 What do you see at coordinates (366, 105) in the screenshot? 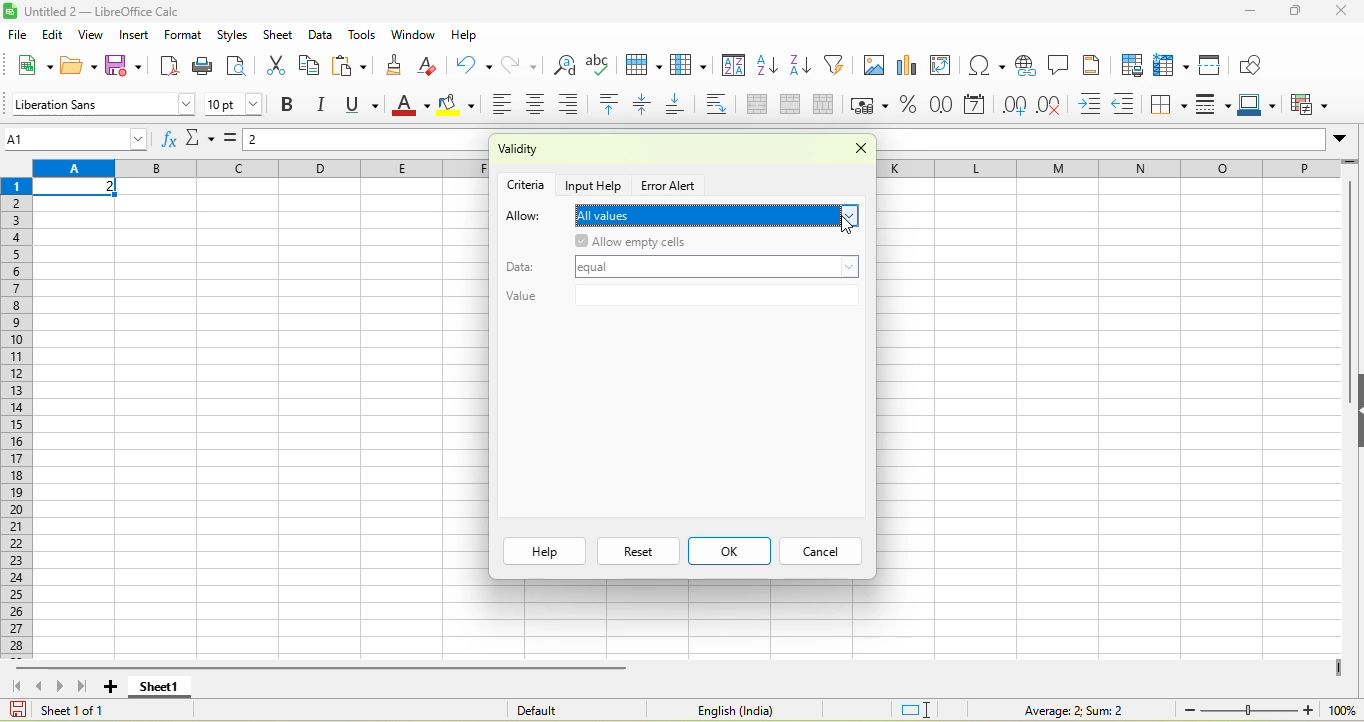
I see `underline` at bounding box center [366, 105].